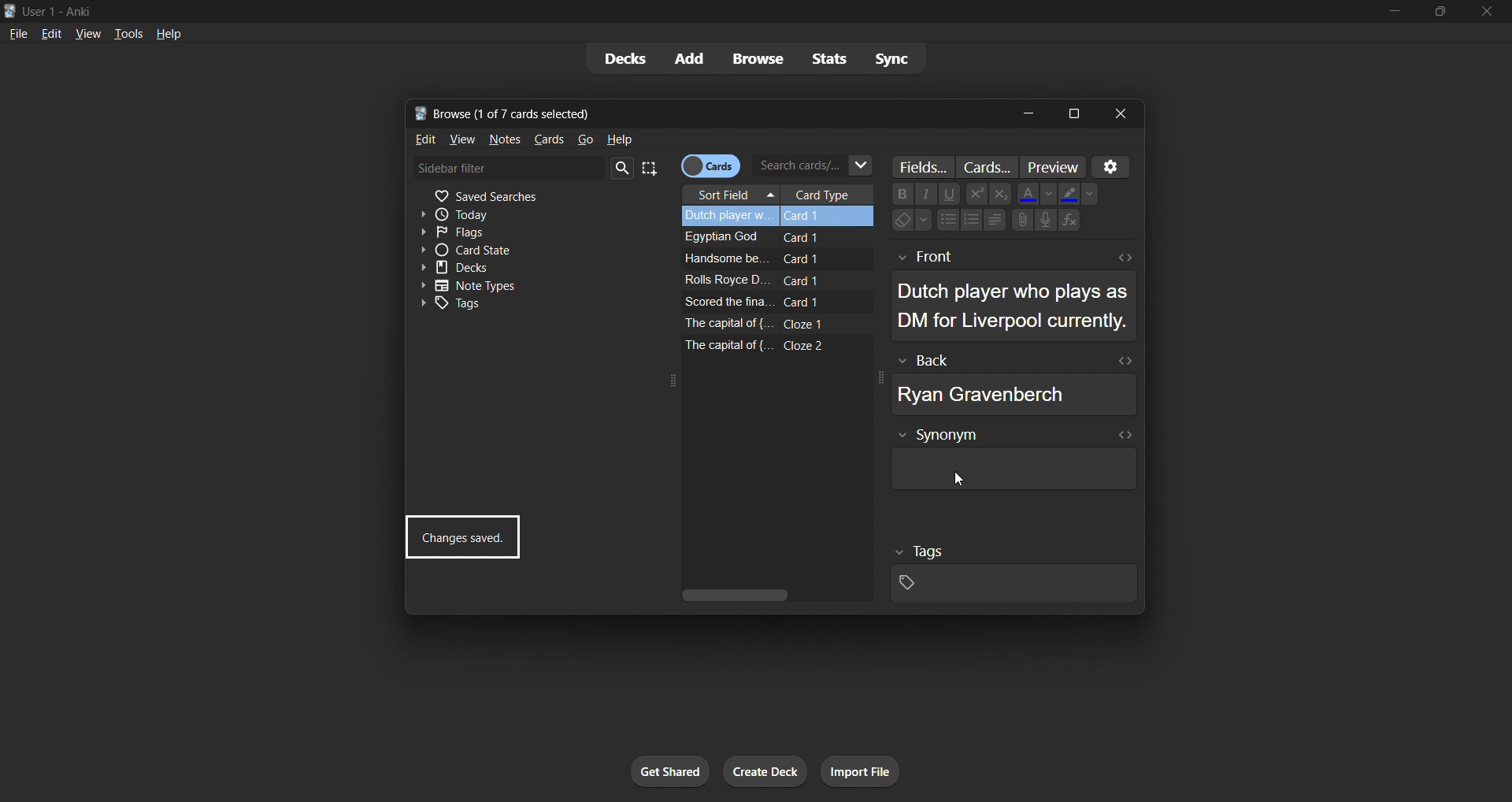 This screenshot has height=802, width=1512. Describe the element at coordinates (1046, 220) in the screenshot. I see `Speaker` at that location.